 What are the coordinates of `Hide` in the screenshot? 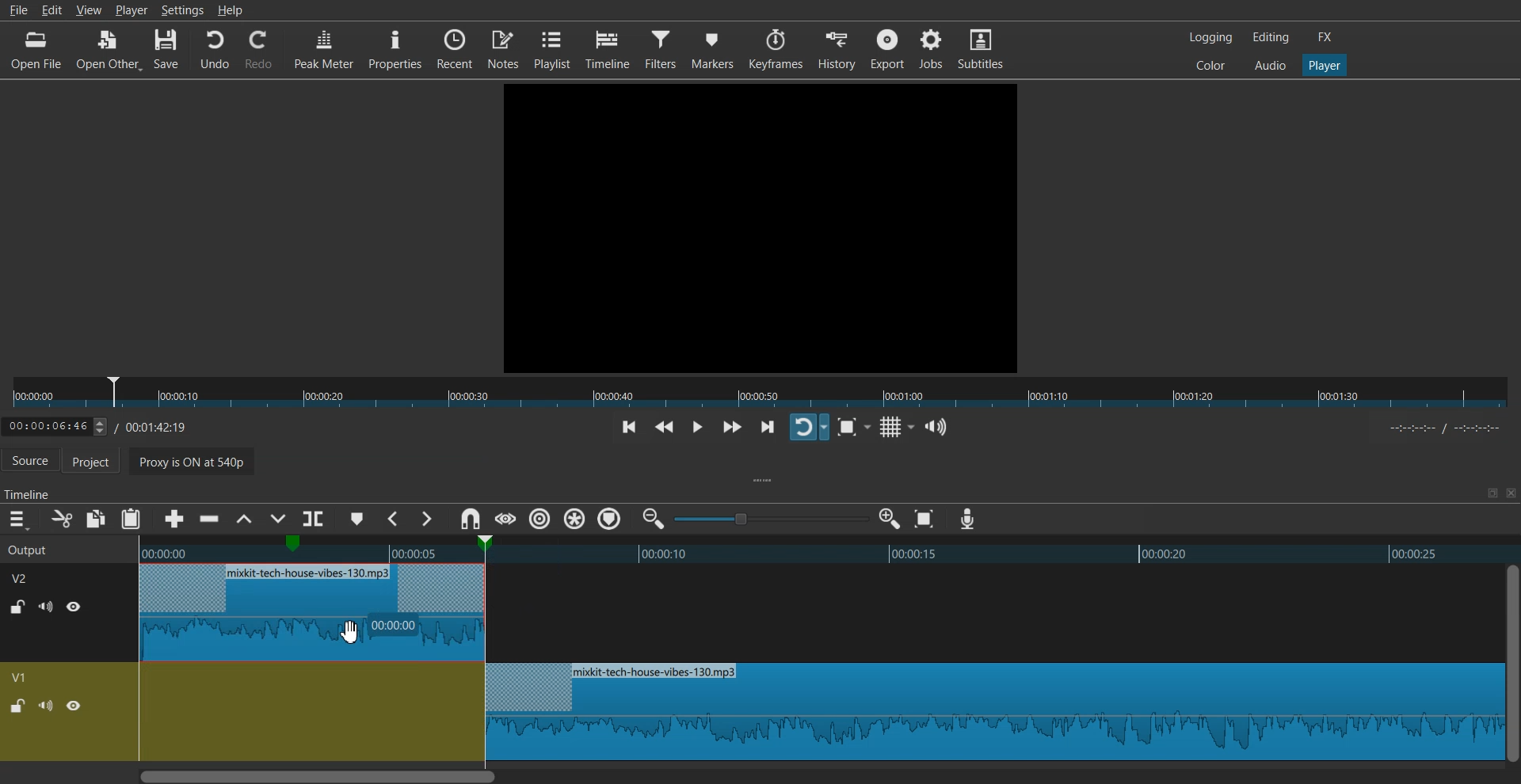 It's located at (74, 706).